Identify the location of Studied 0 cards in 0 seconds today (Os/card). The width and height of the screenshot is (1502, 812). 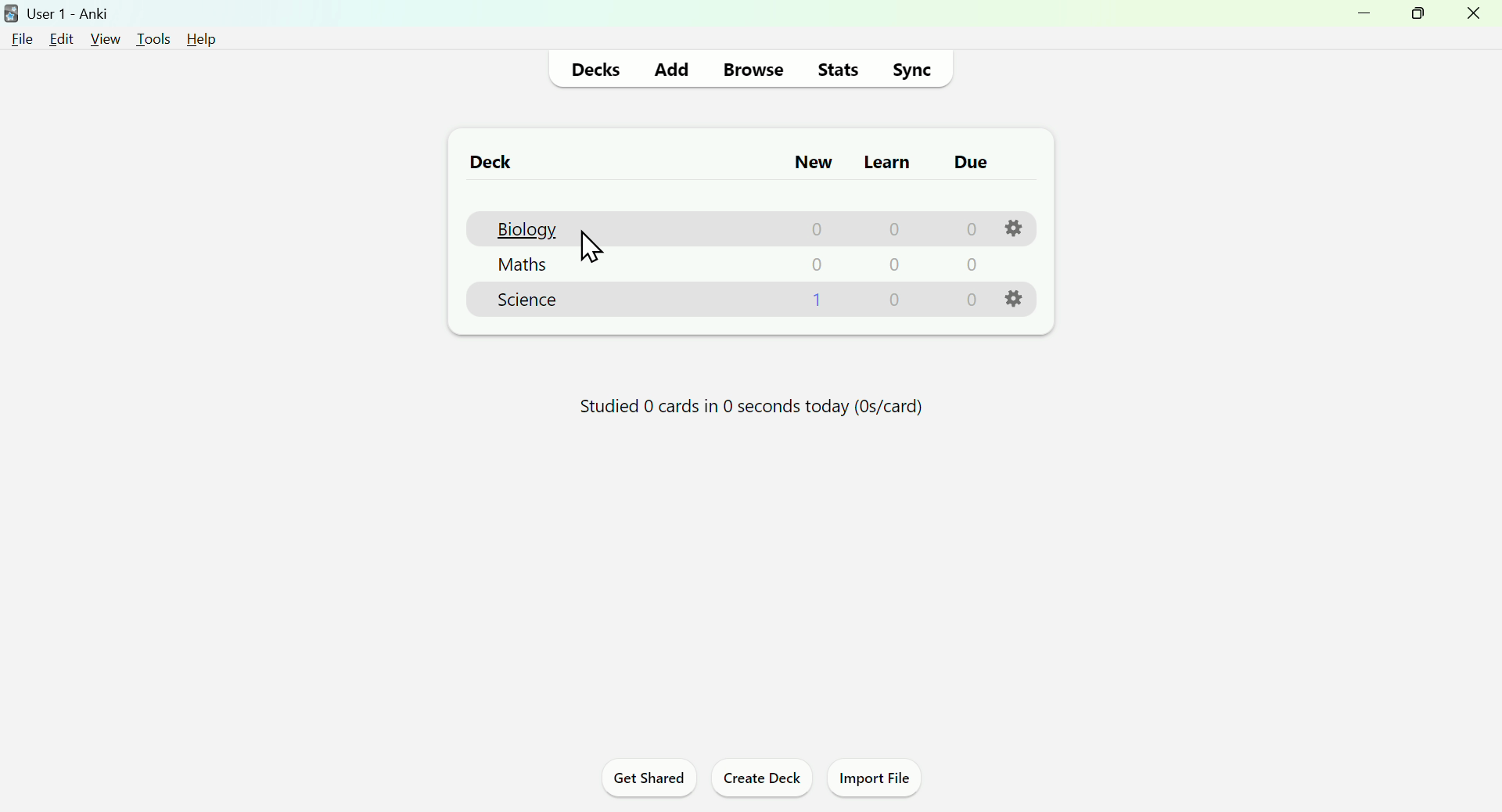
(749, 411).